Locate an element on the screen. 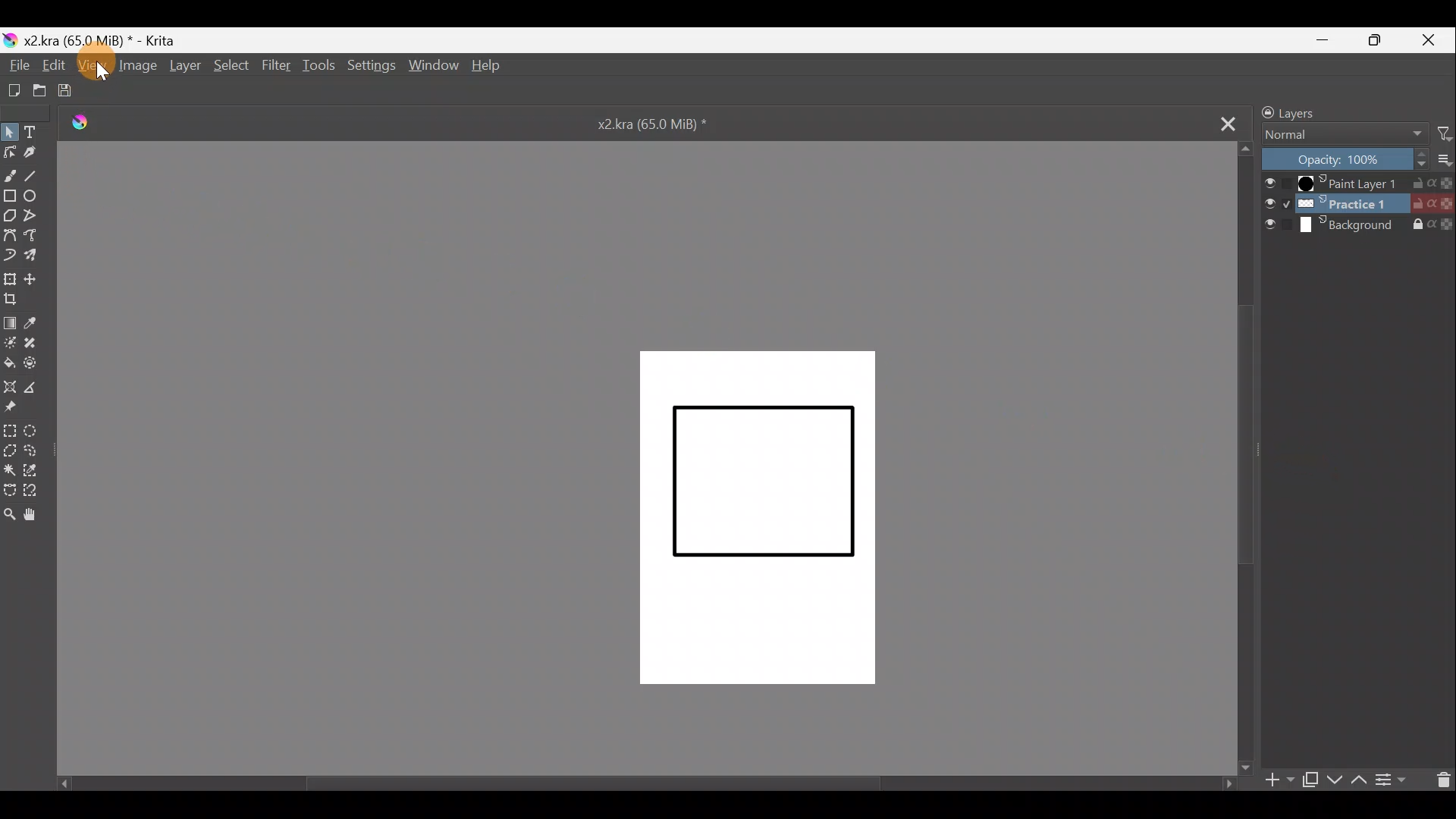  Image is located at coordinates (136, 67).